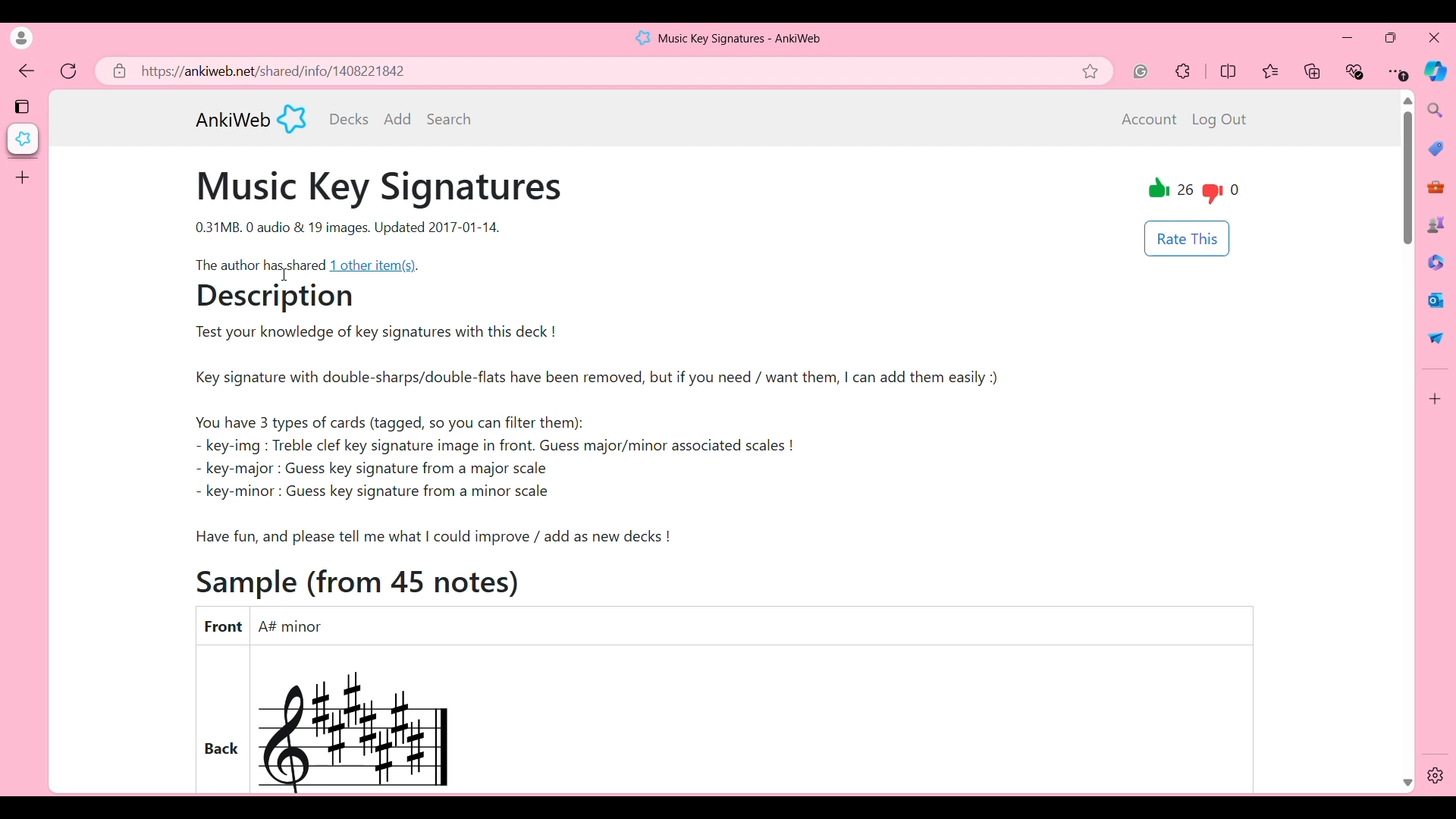 Image resolution: width=1456 pixels, height=819 pixels. Describe the element at coordinates (1436, 148) in the screenshot. I see `Browser shopping` at that location.